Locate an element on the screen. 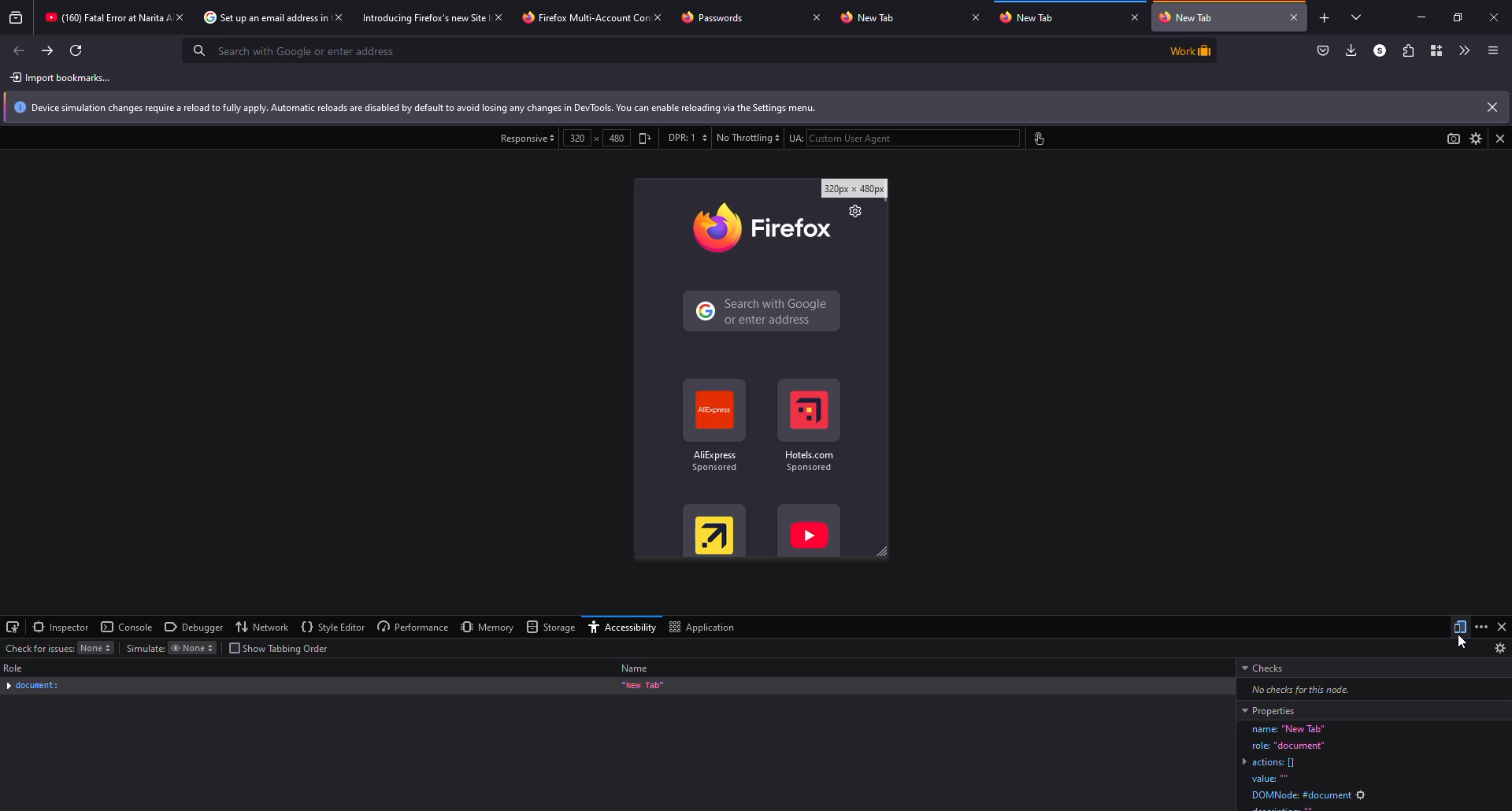  minimize is located at coordinates (1414, 17).